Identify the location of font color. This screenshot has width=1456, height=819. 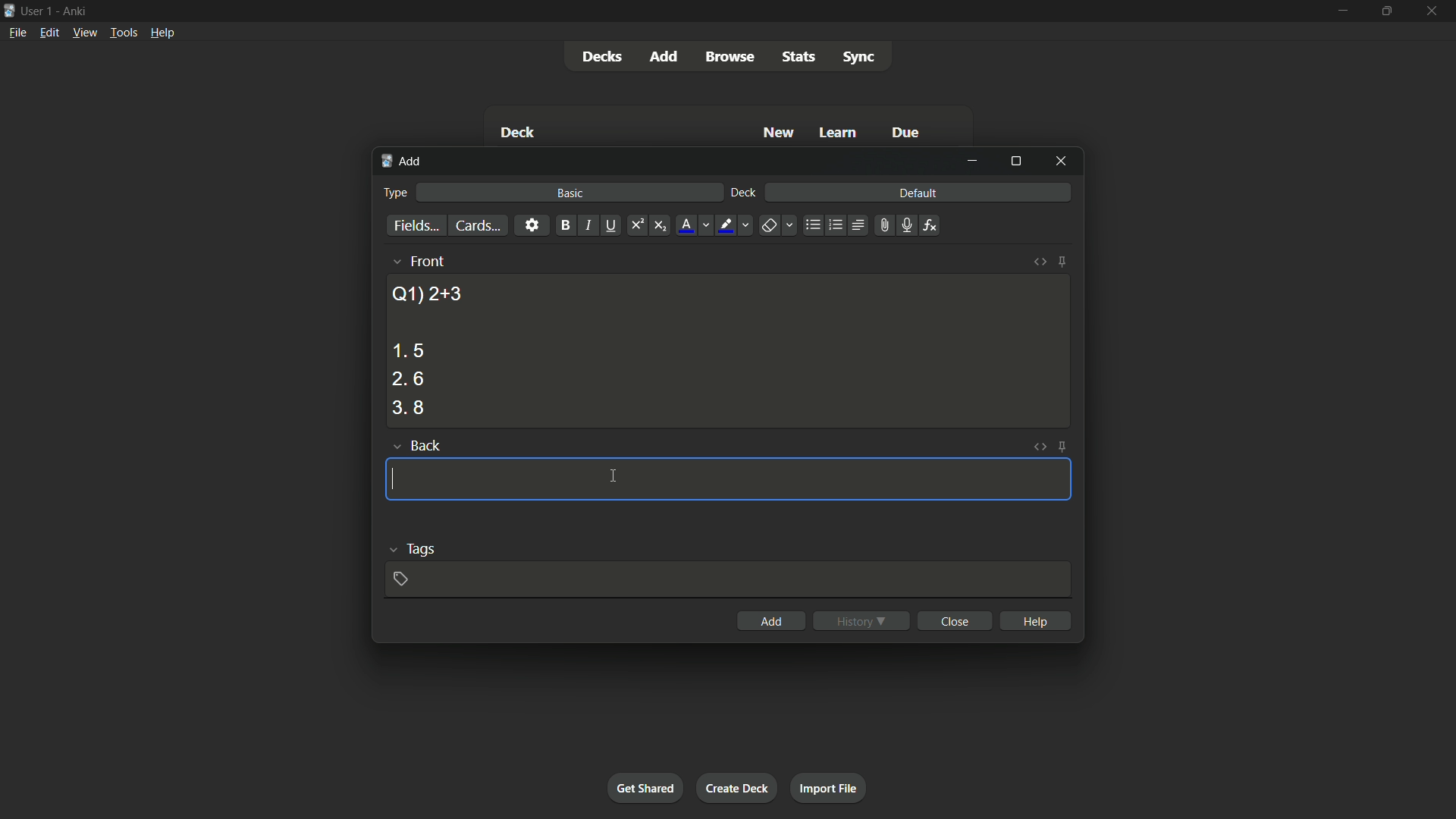
(687, 225).